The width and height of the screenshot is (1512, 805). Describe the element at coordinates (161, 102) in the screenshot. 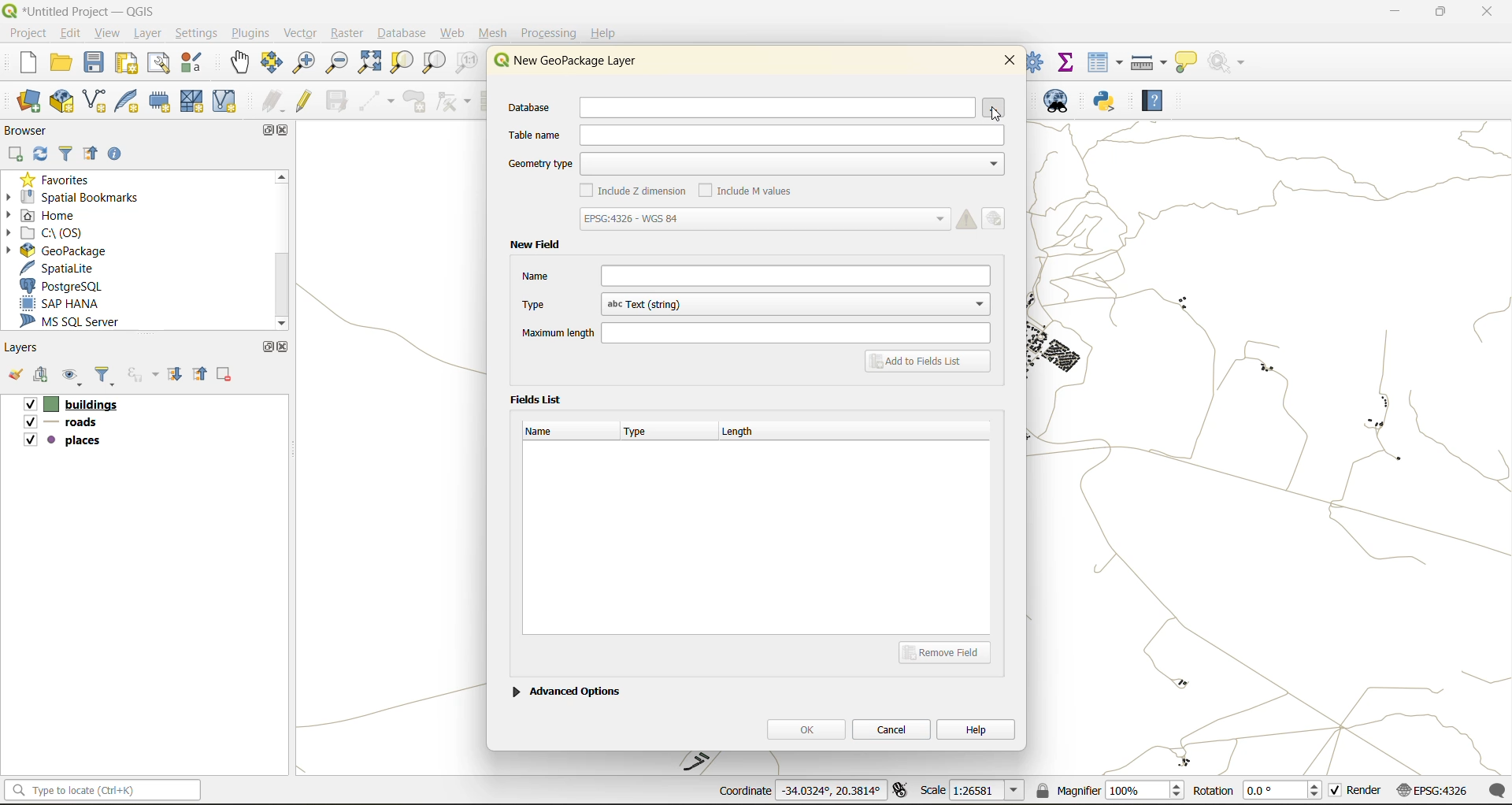

I see `temporary scratch layer` at that location.